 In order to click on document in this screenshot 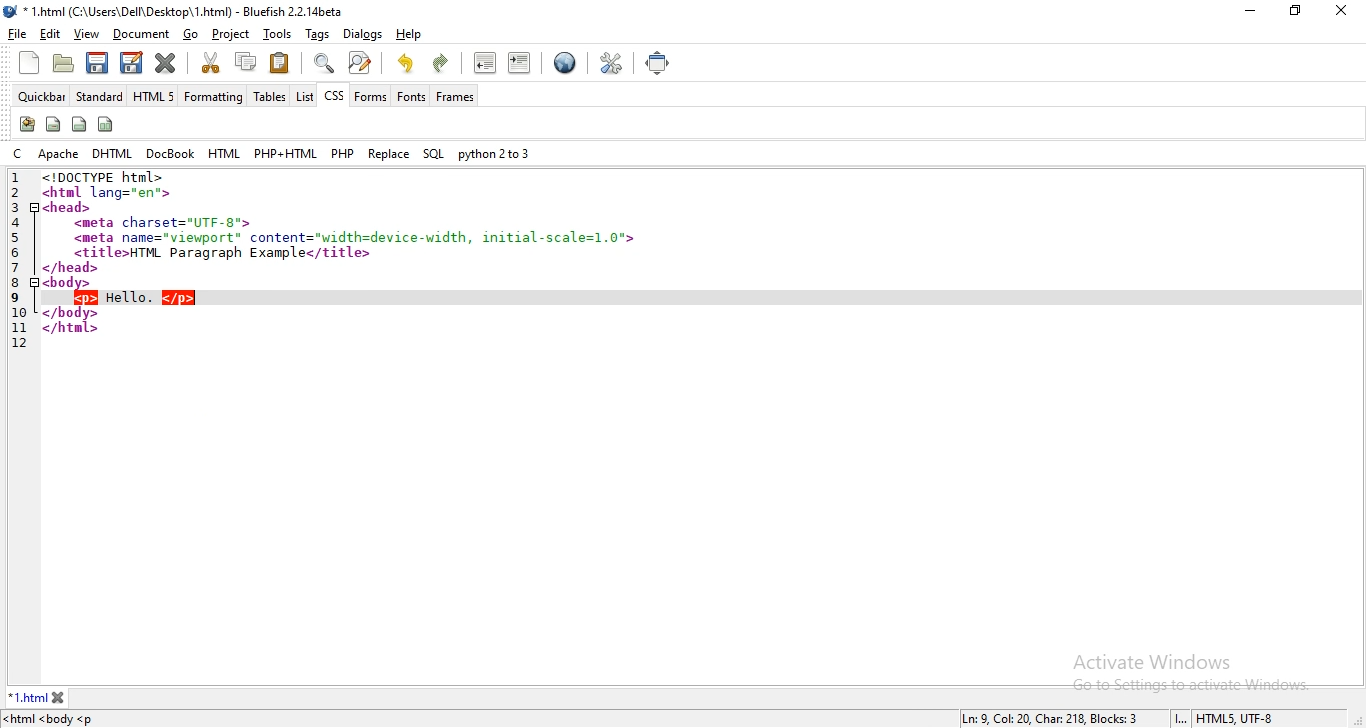, I will do `click(139, 34)`.